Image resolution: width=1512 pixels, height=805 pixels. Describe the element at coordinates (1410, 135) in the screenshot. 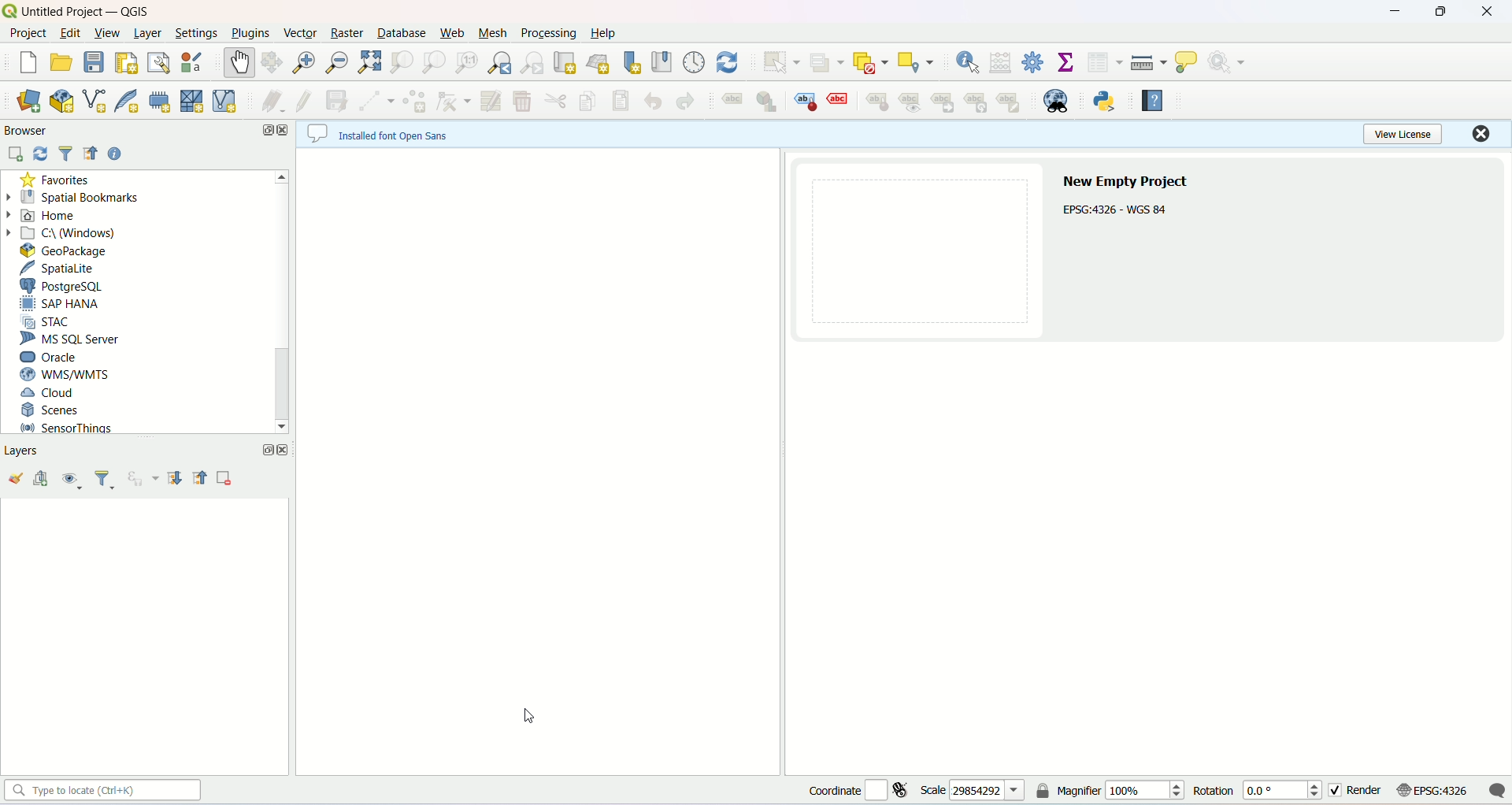

I see `view license` at that location.